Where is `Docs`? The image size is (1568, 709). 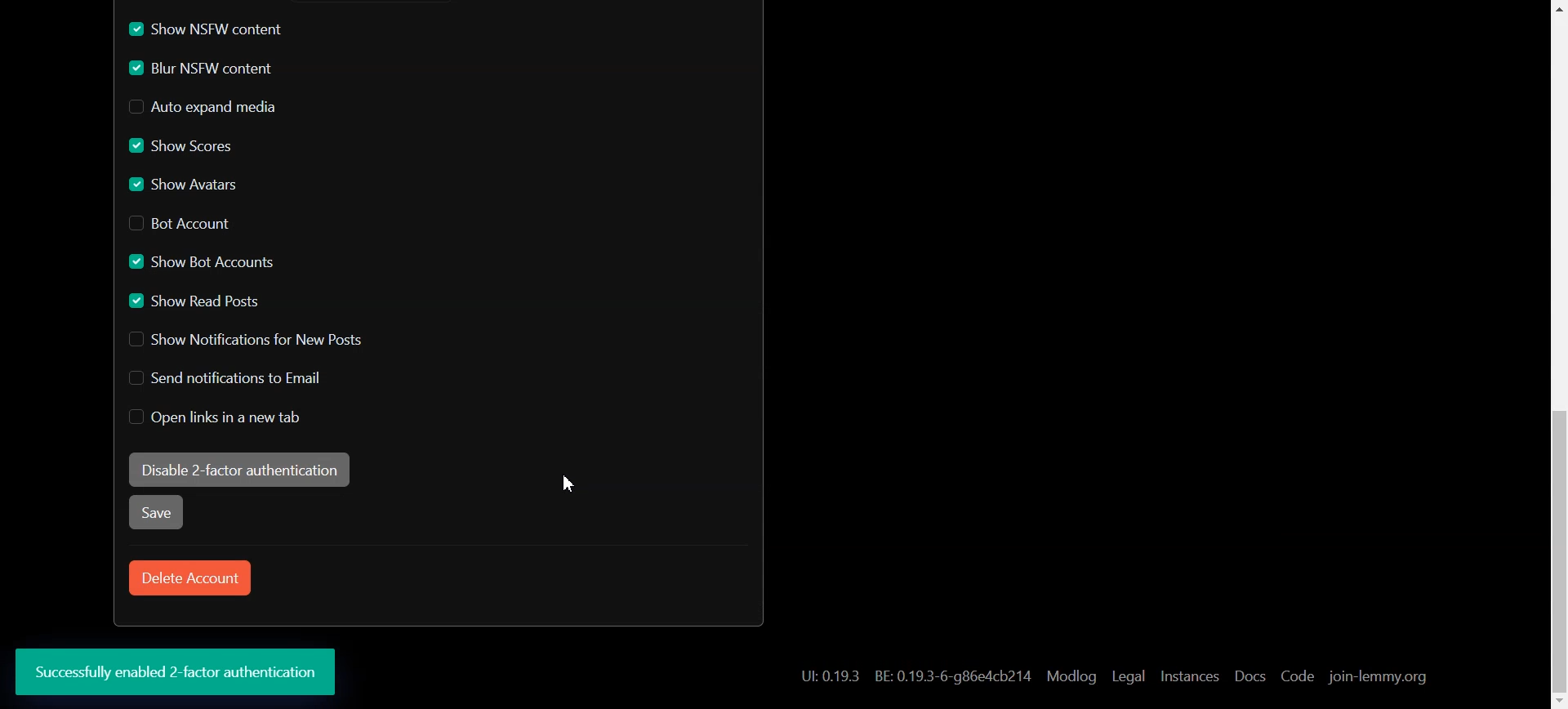 Docs is located at coordinates (1249, 677).